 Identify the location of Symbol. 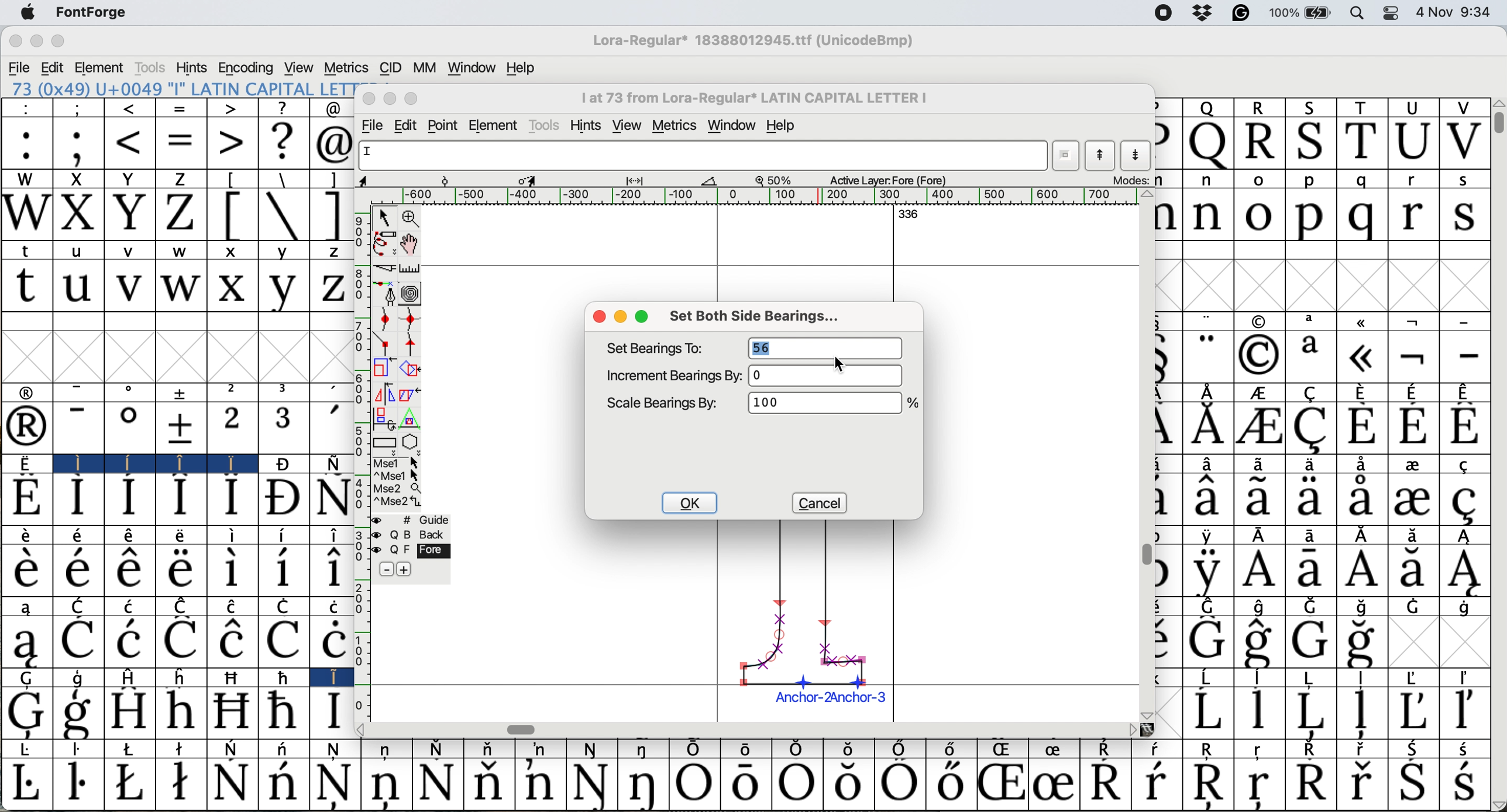
(128, 641).